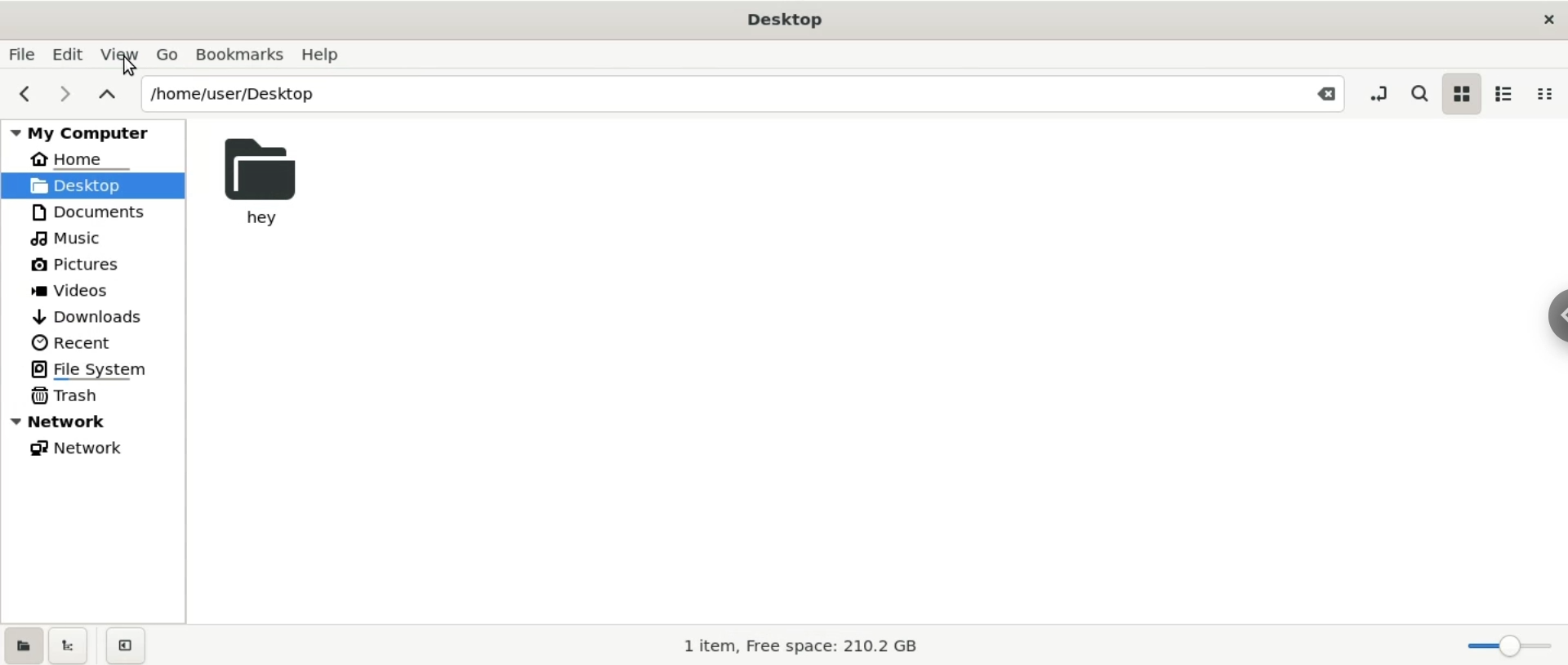 This screenshot has height=665, width=1568. I want to click on show treeview, so click(69, 645).